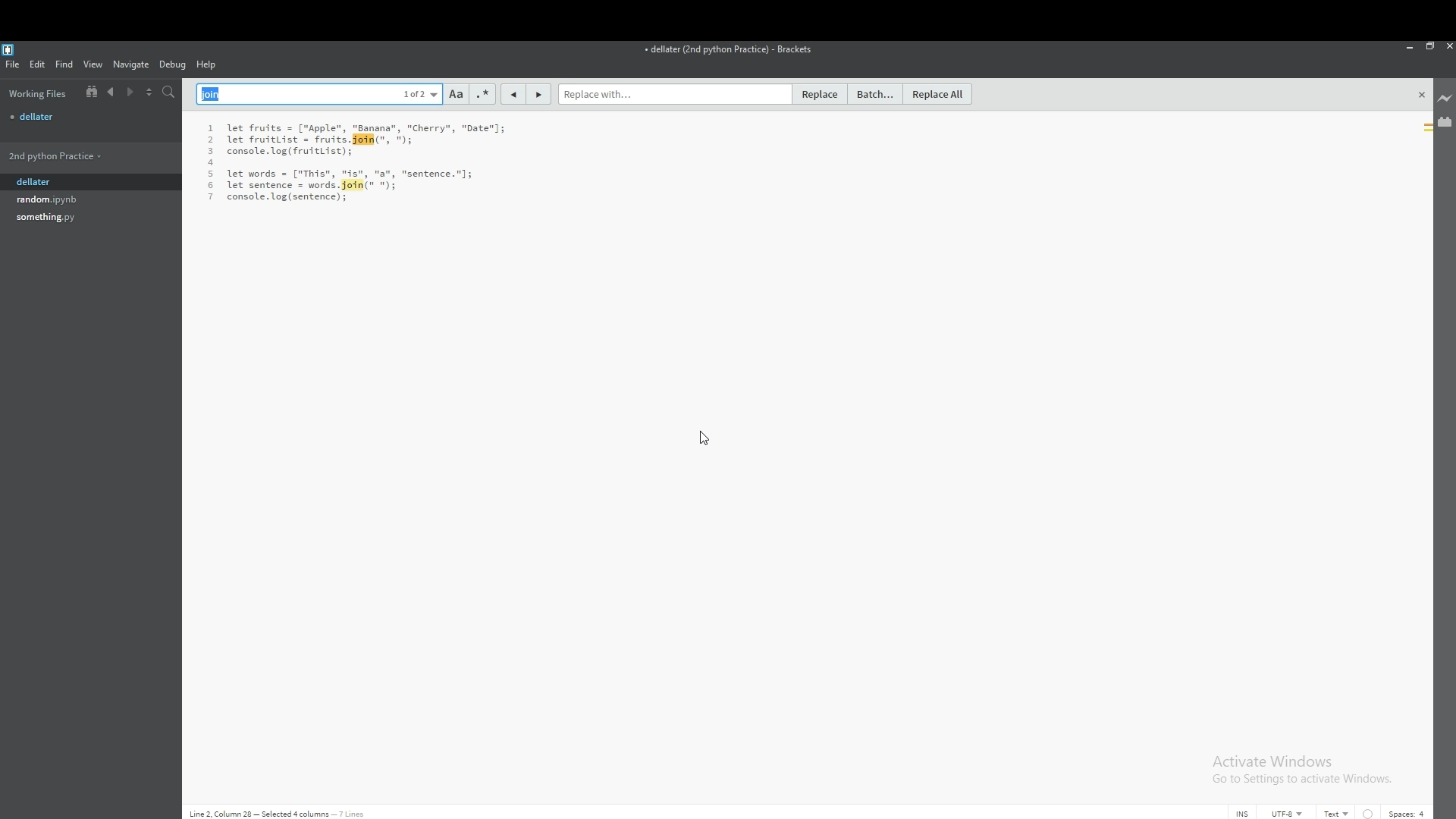  Describe the element at coordinates (537, 94) in the screenshot. I see `next match` at that location.